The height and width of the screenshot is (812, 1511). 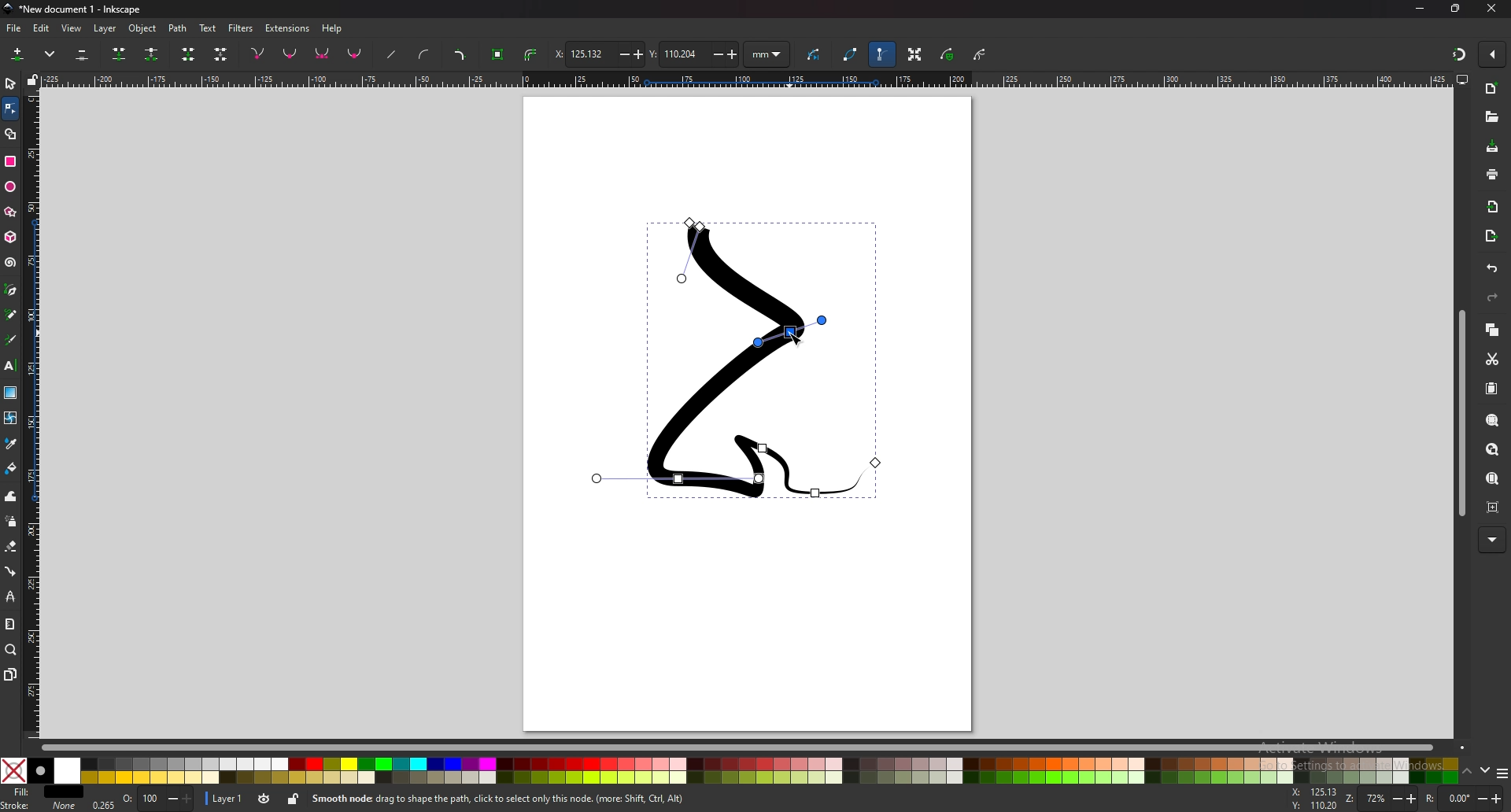 I want to click on path, so click(x=179, y=28).